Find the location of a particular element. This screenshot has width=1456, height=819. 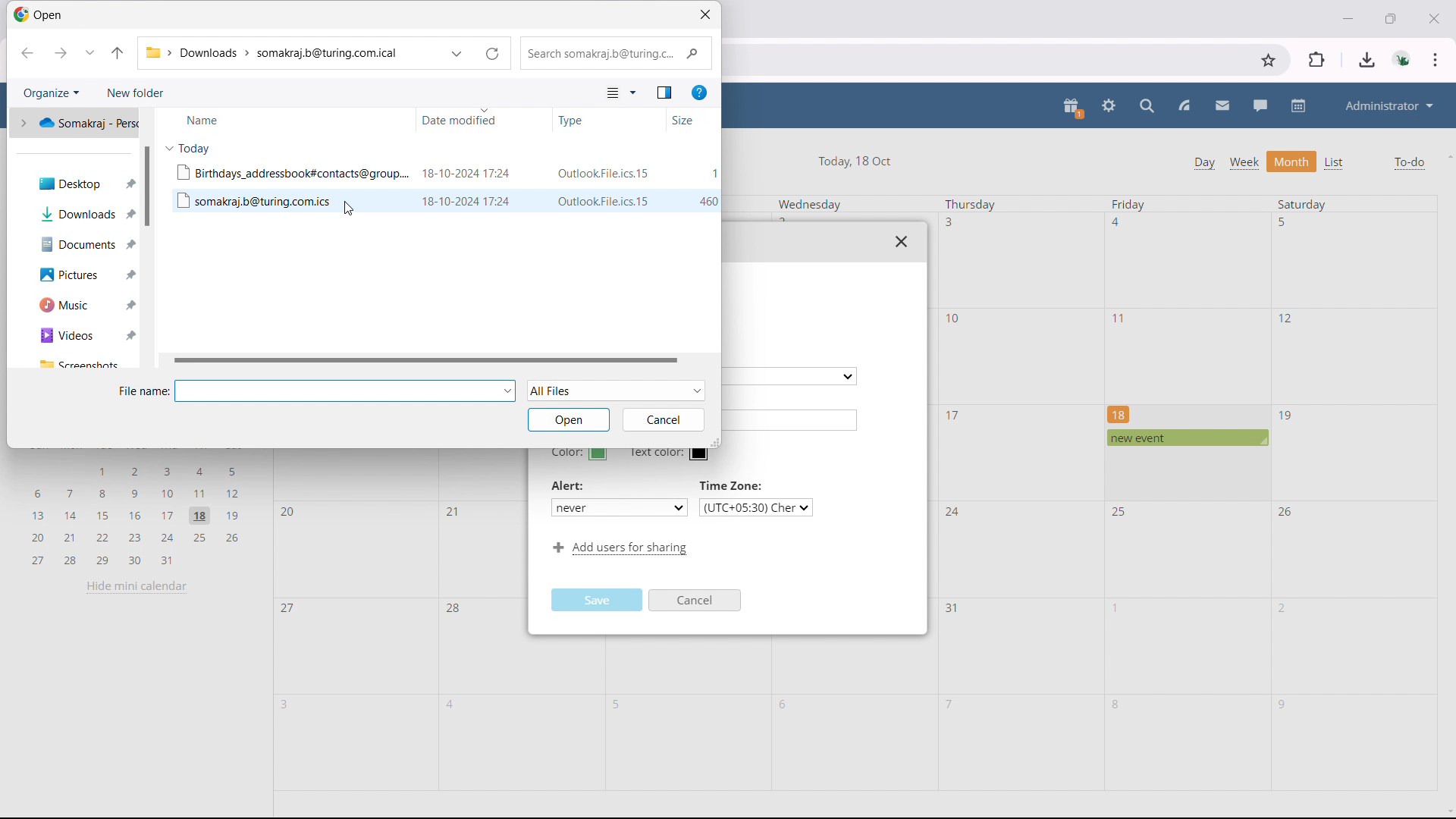

Cancel is located at coordinates (696, 601).